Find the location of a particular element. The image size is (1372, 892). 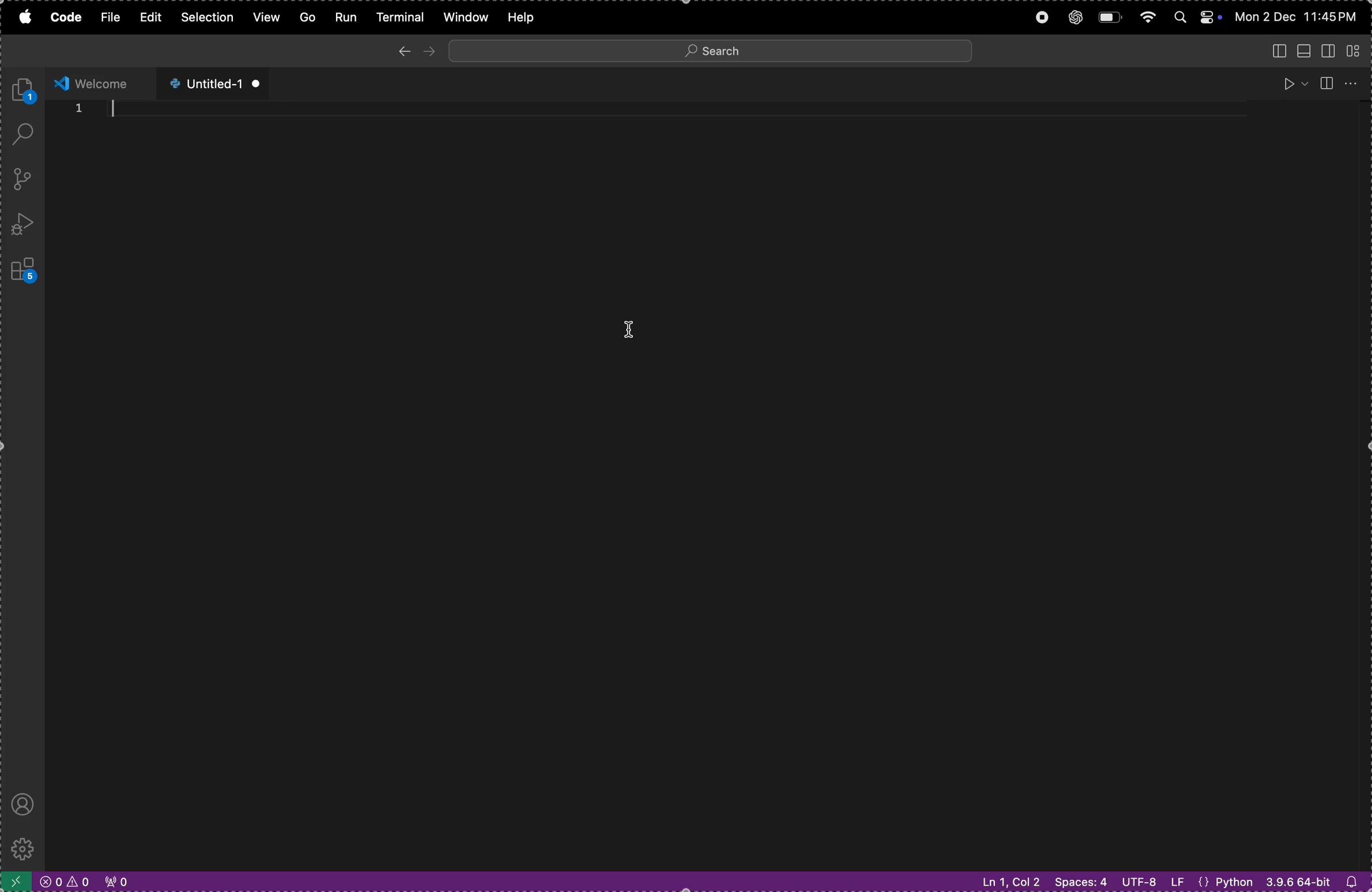

terminal is located at coordinates (400, 17).